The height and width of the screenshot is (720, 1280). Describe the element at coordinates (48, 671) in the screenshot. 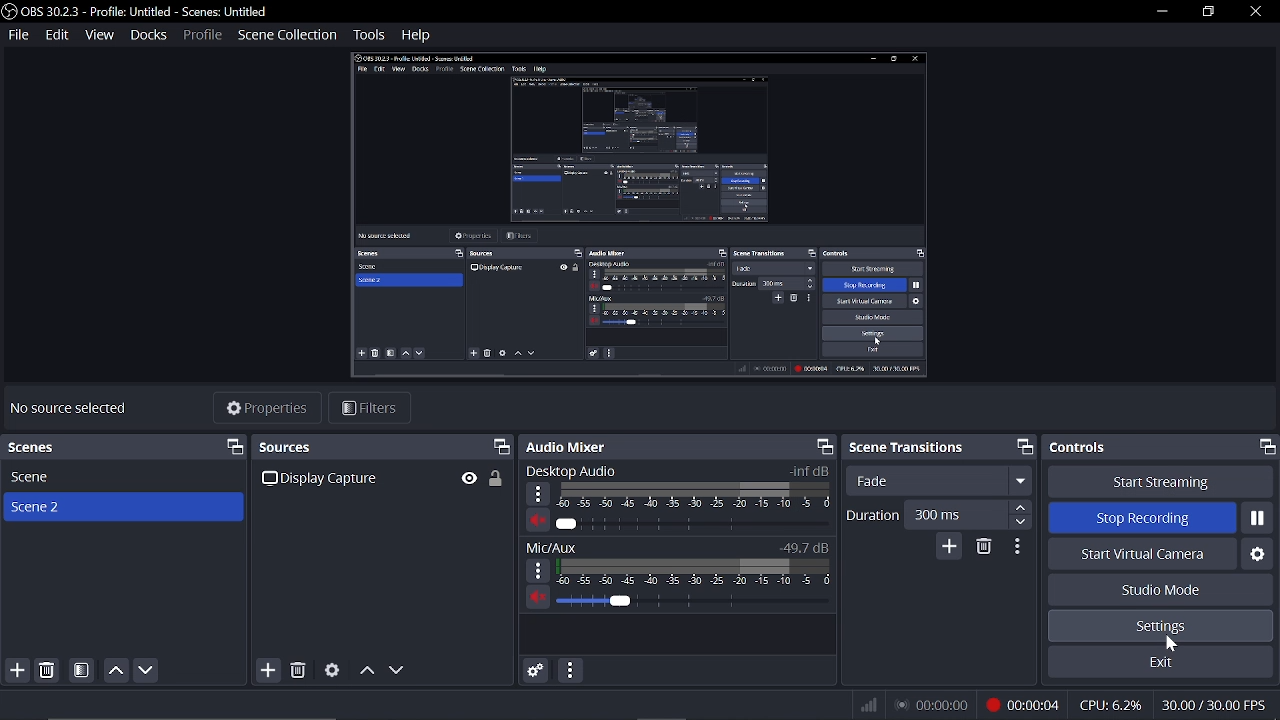

I see `remove scene` at that location.